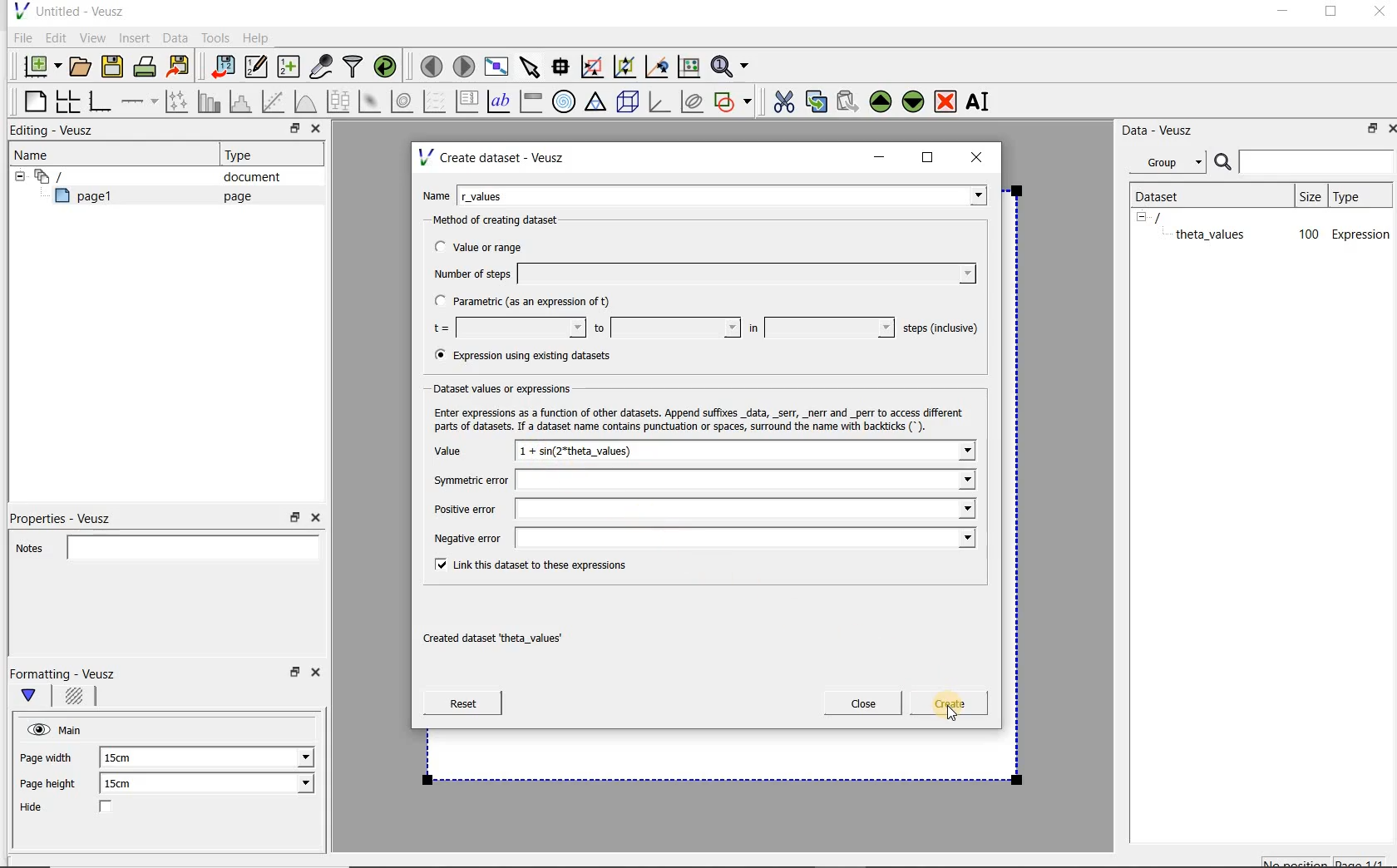 The height and width of the screenshot is (868, 1397). What do you see at coordinates (880, 157) in the screenshot?
I see `minimize` at bounding box center [880, 157].